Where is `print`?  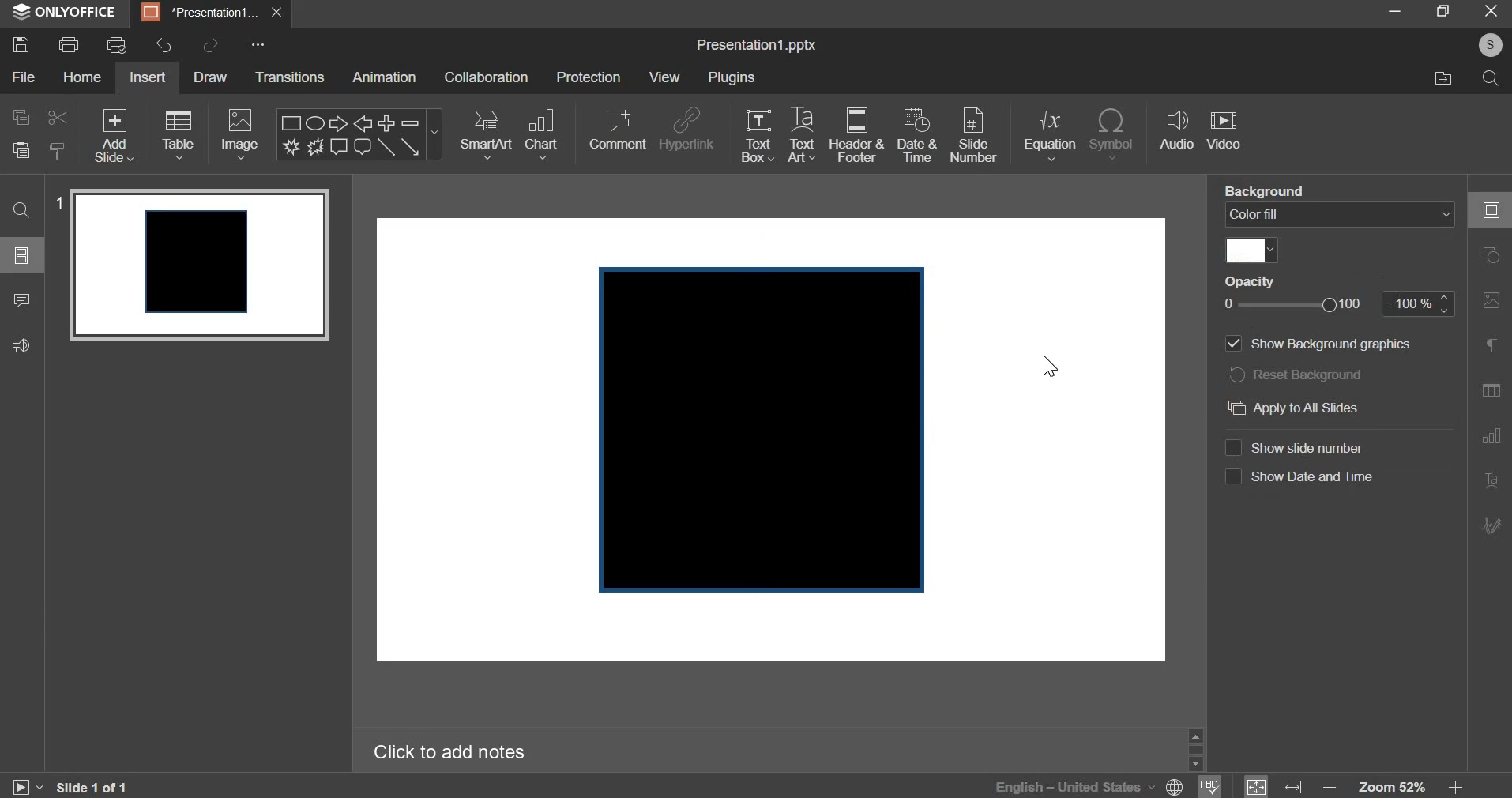
print is located at coordinates (66, 44).